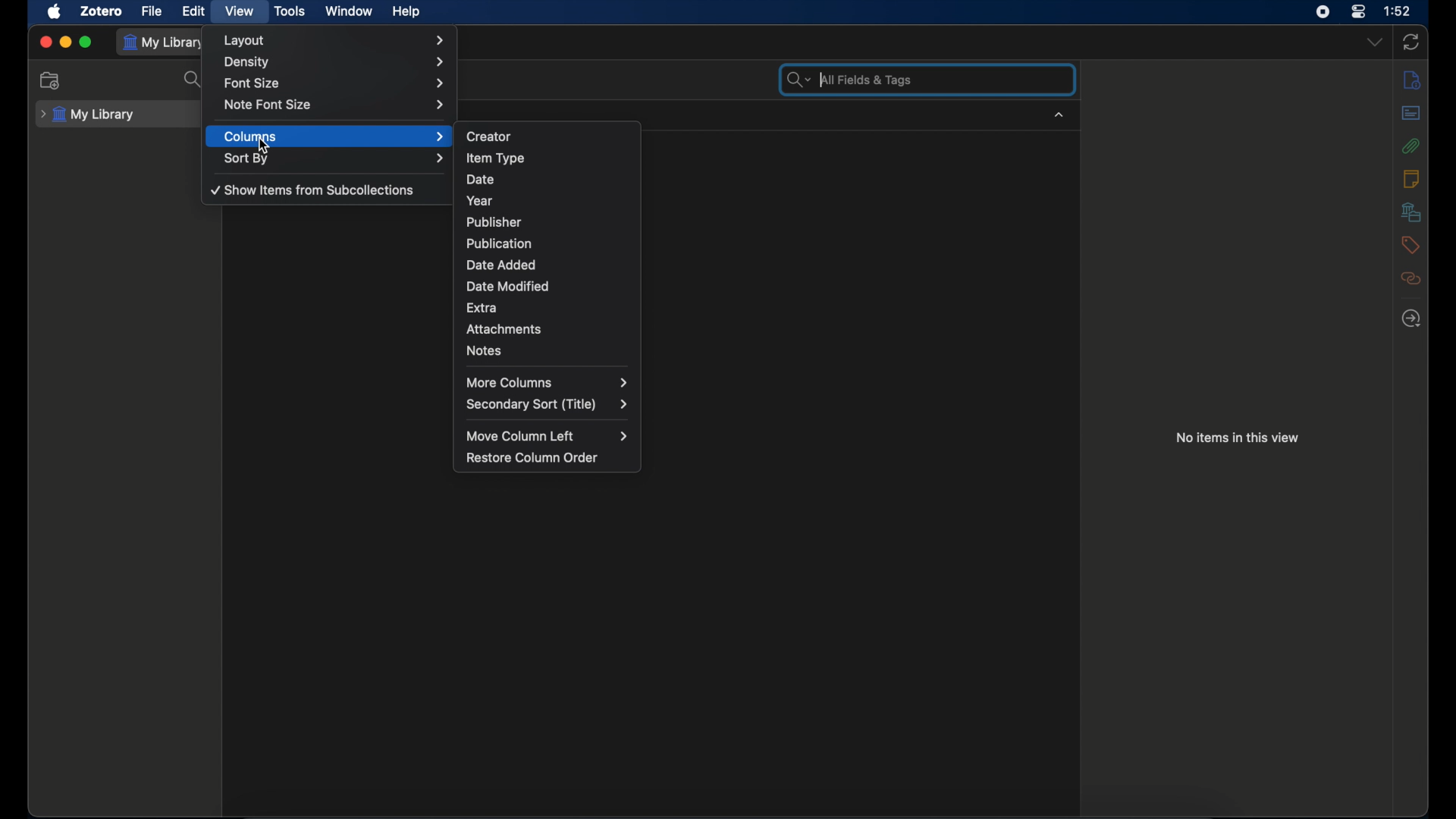  I want to click on date modified, so click(510, 286).